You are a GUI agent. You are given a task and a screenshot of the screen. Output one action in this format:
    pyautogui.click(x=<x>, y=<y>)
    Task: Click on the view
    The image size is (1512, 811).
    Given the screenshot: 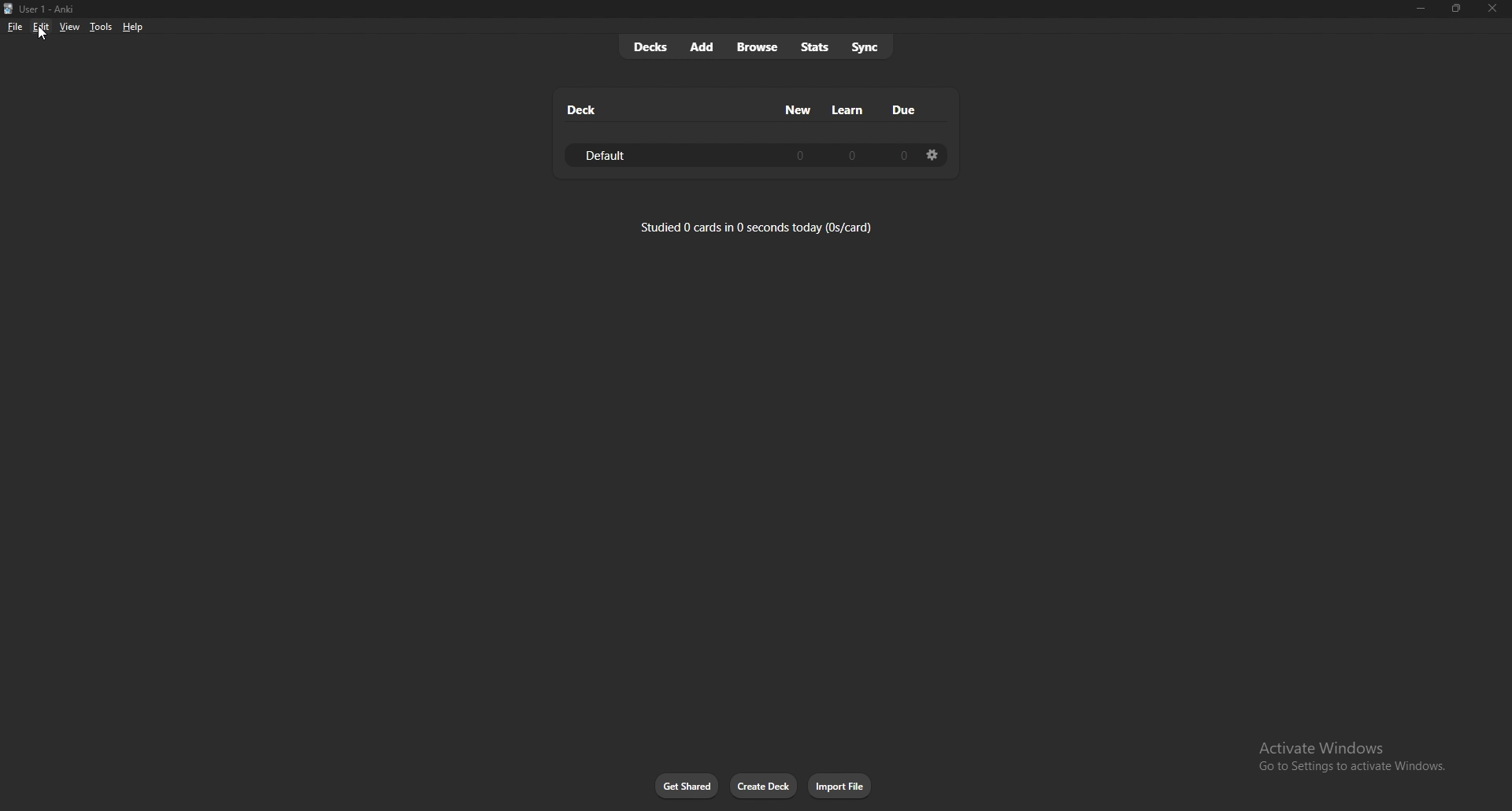 What is the action you would take?
    pyautogui.click(x=68, y=26)
    